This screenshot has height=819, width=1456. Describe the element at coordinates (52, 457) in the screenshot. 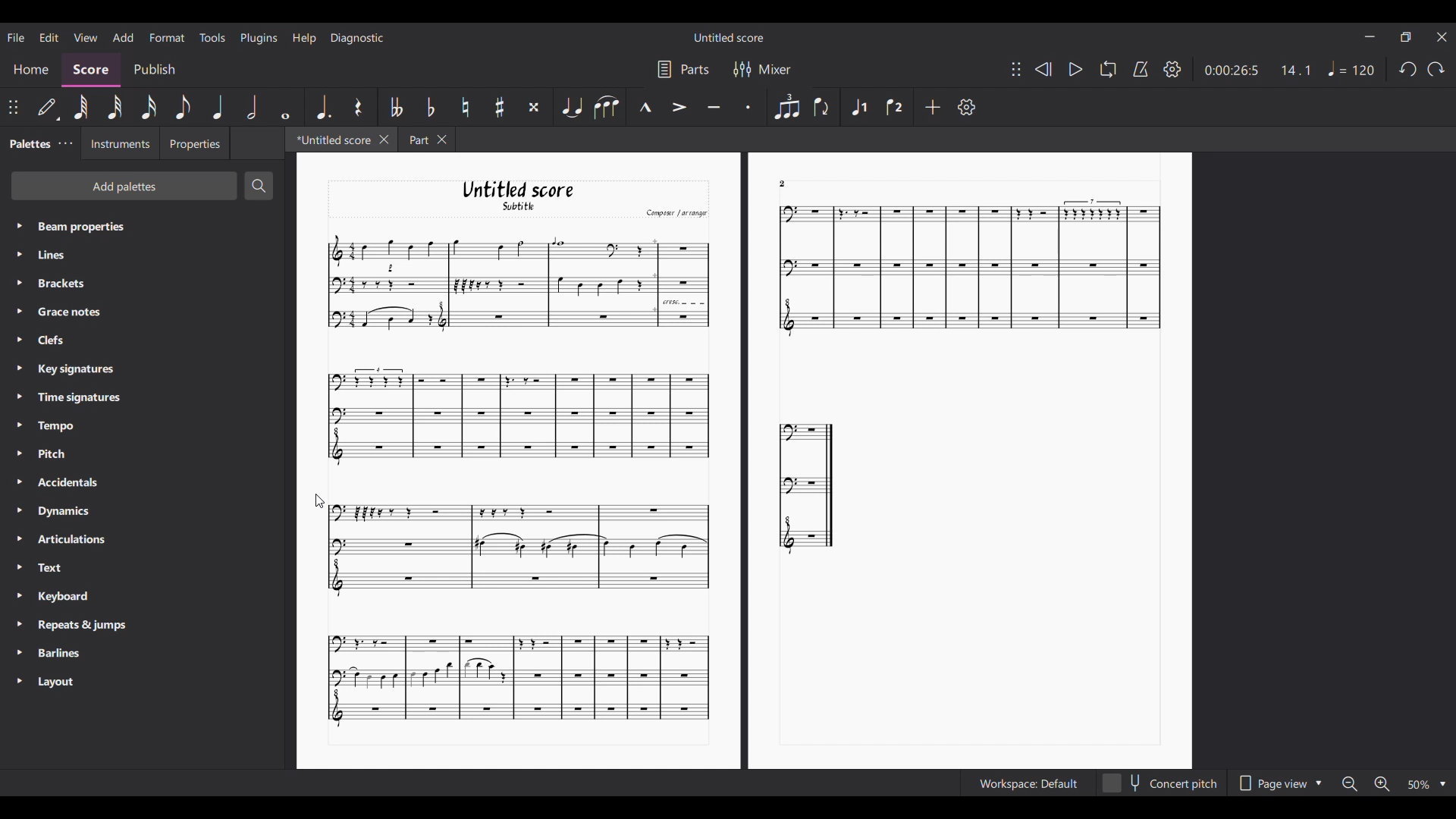

I see `> Pitch` at that location.